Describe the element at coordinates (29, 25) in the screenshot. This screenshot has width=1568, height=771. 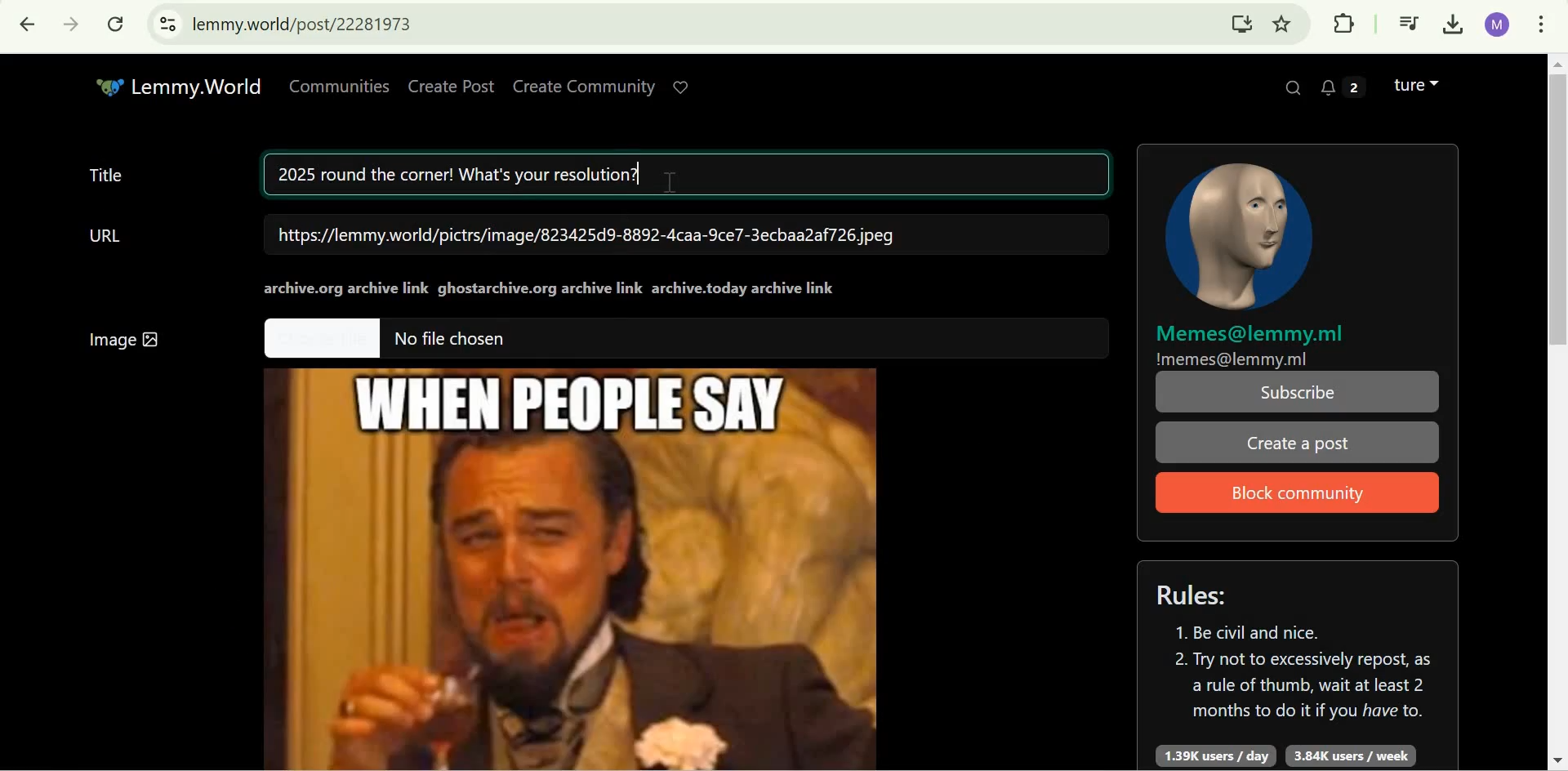
I see `Click to go back, hold to see history` at that location.